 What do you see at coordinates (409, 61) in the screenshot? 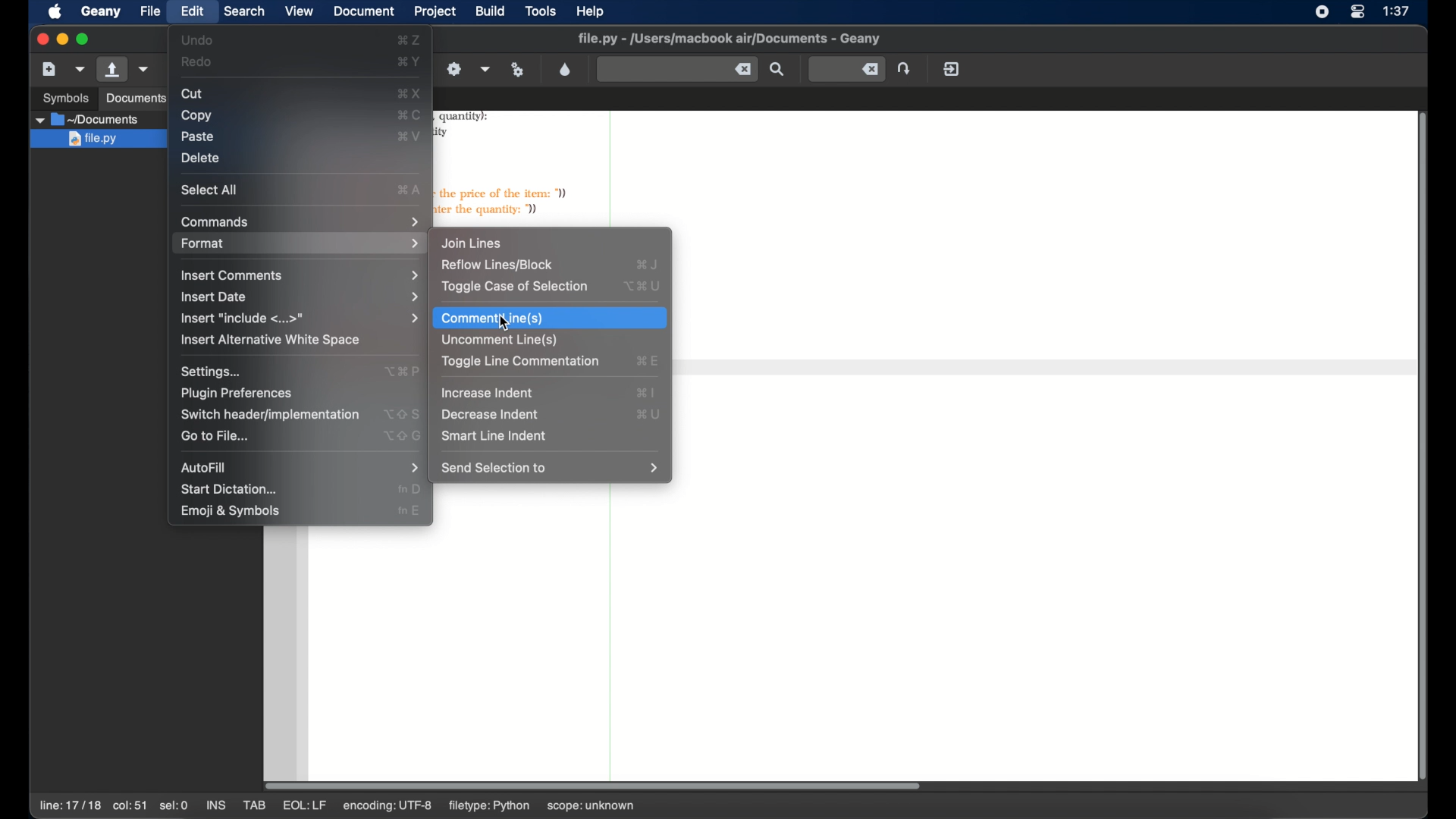
I see `redo shortcut` at bounding box center [409, 61].